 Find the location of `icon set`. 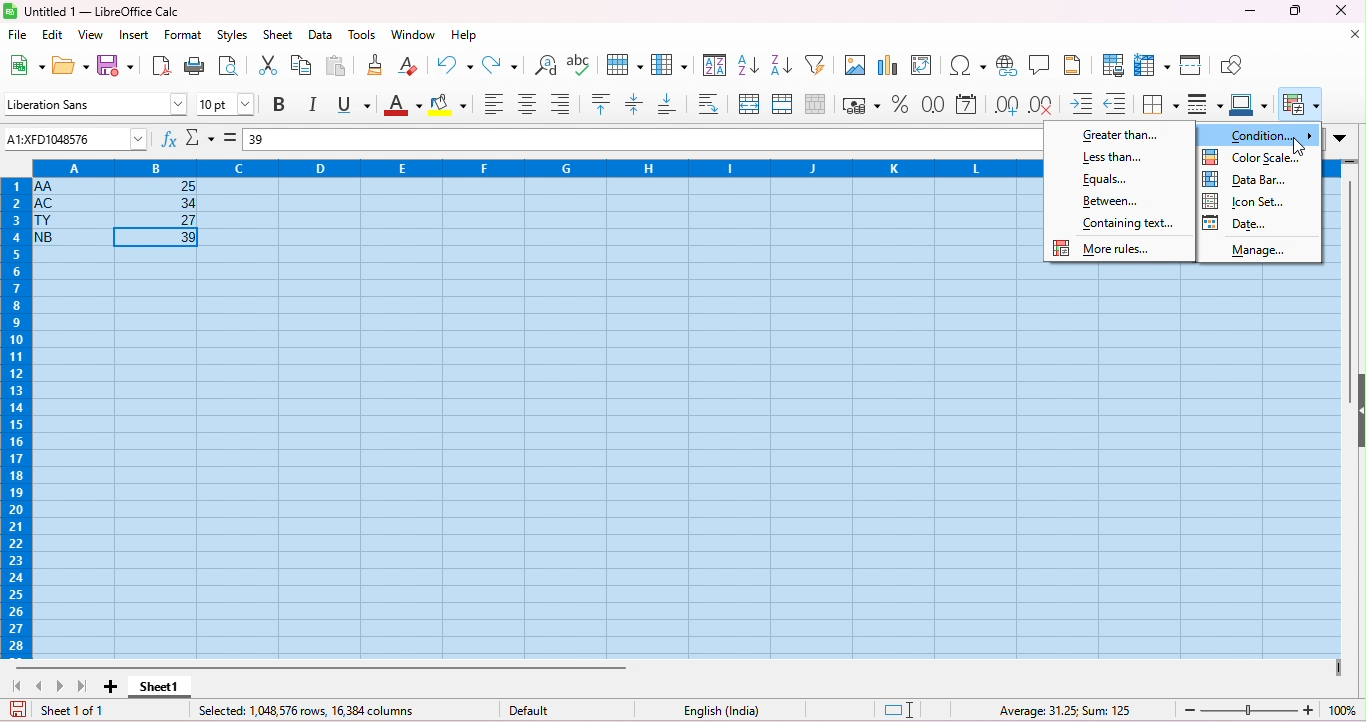

icon set is located at coordinates (1256, 201).